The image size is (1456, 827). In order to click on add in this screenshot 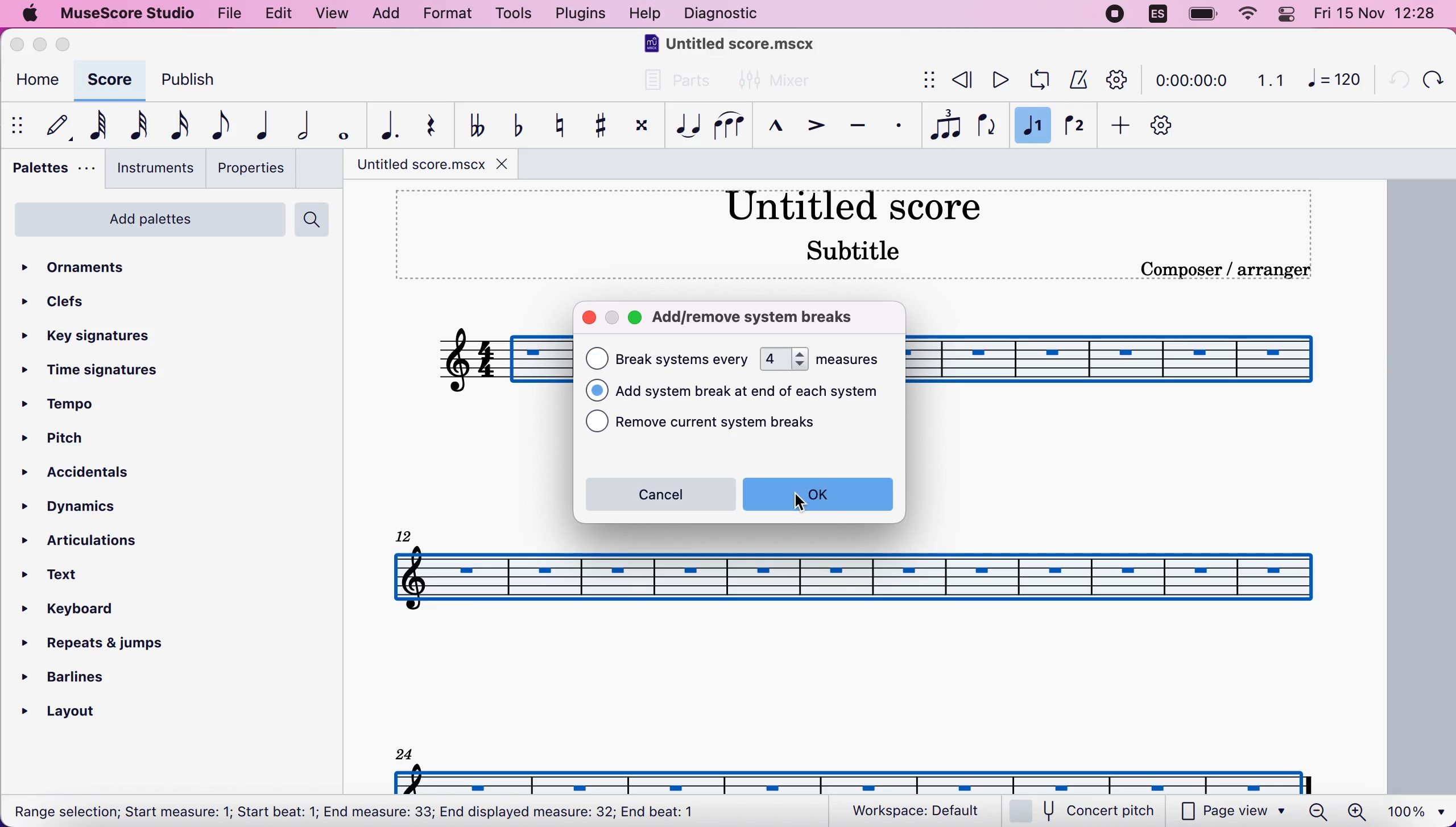, I will do `click(385, 14)`.